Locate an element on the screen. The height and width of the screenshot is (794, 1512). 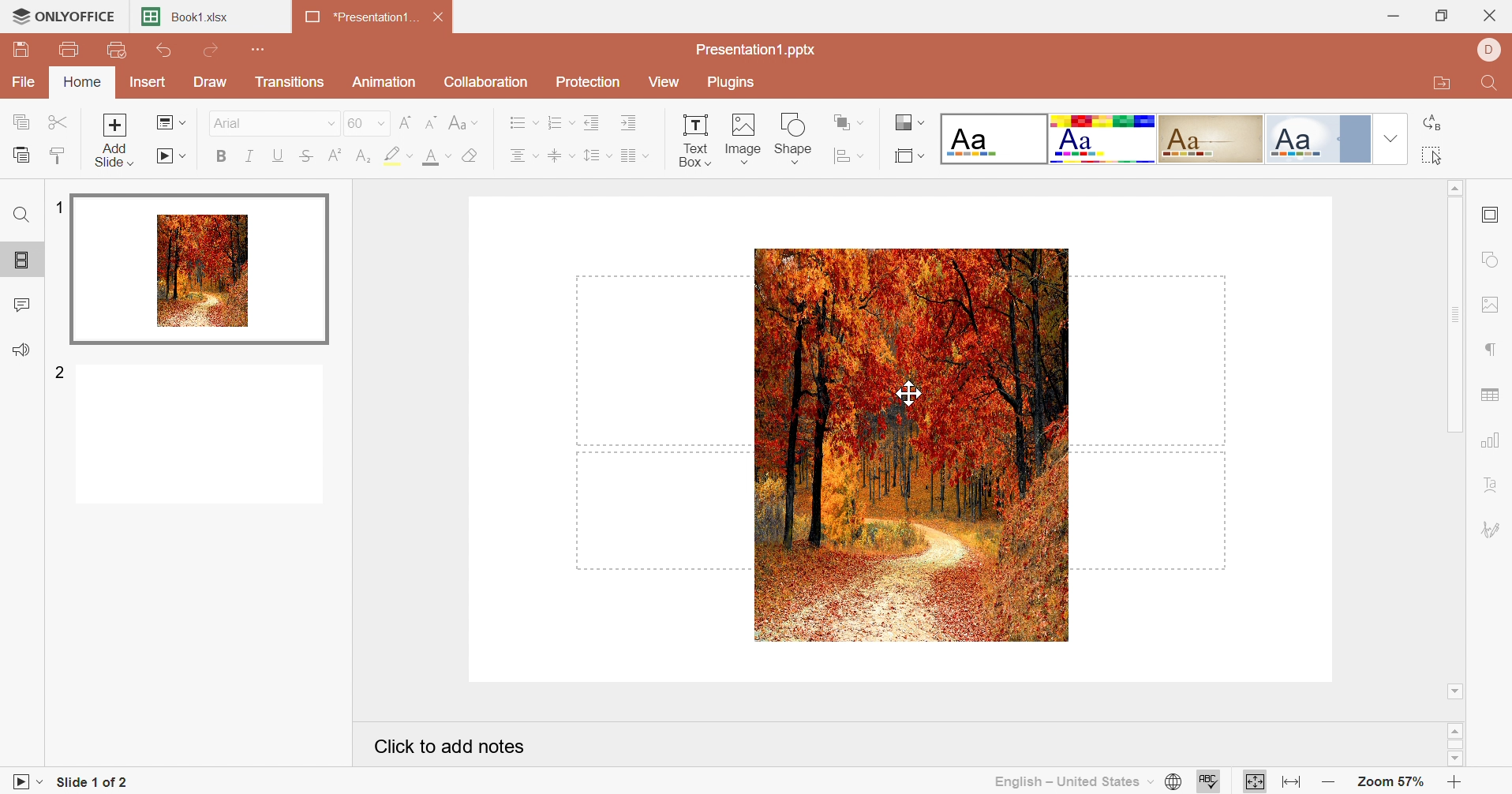
Close is located at coordinates (1489, 15).